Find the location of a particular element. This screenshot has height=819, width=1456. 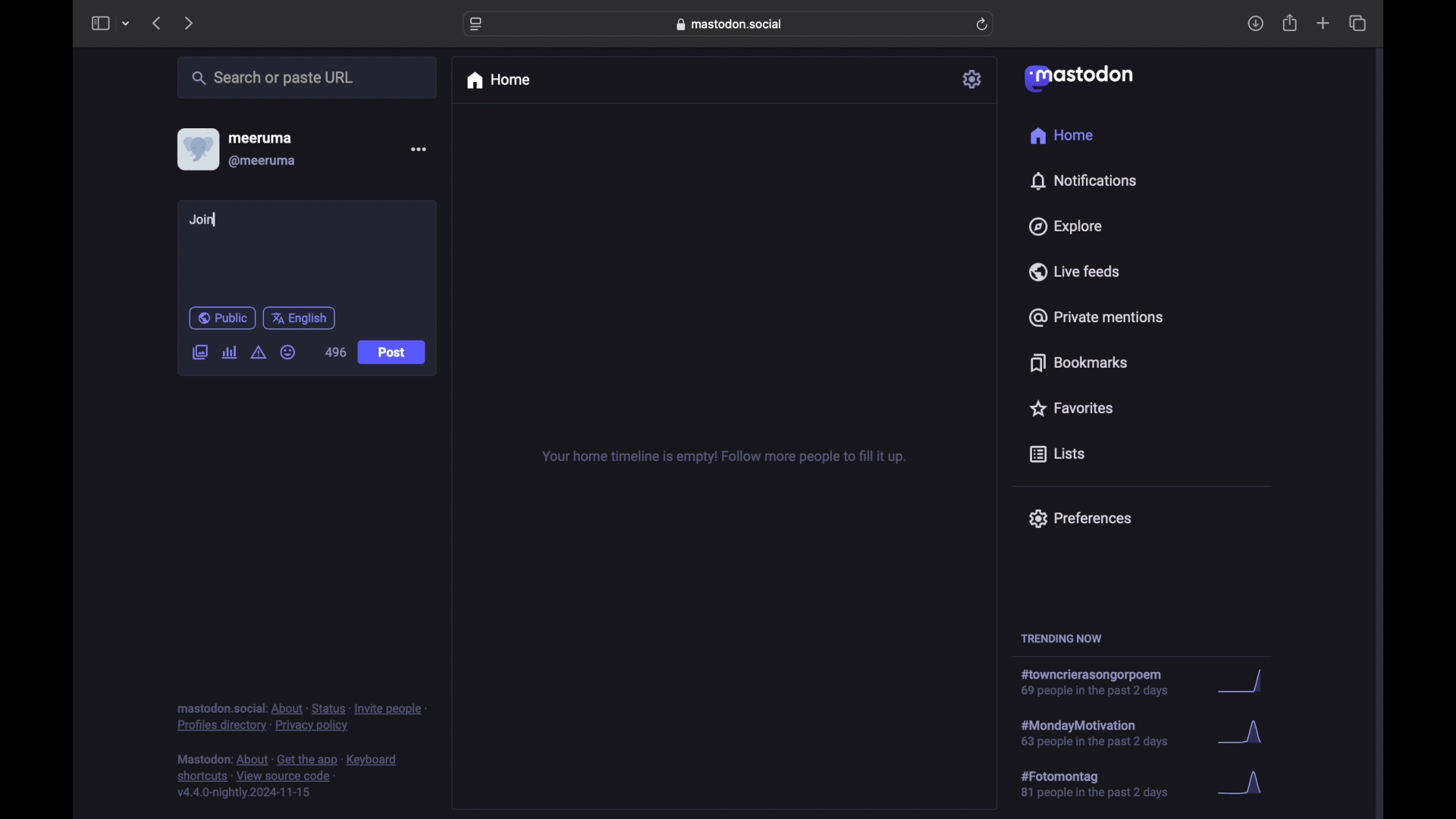

your home timeline is empty! follow more people to fill it up is located at coordinates (723, 457).